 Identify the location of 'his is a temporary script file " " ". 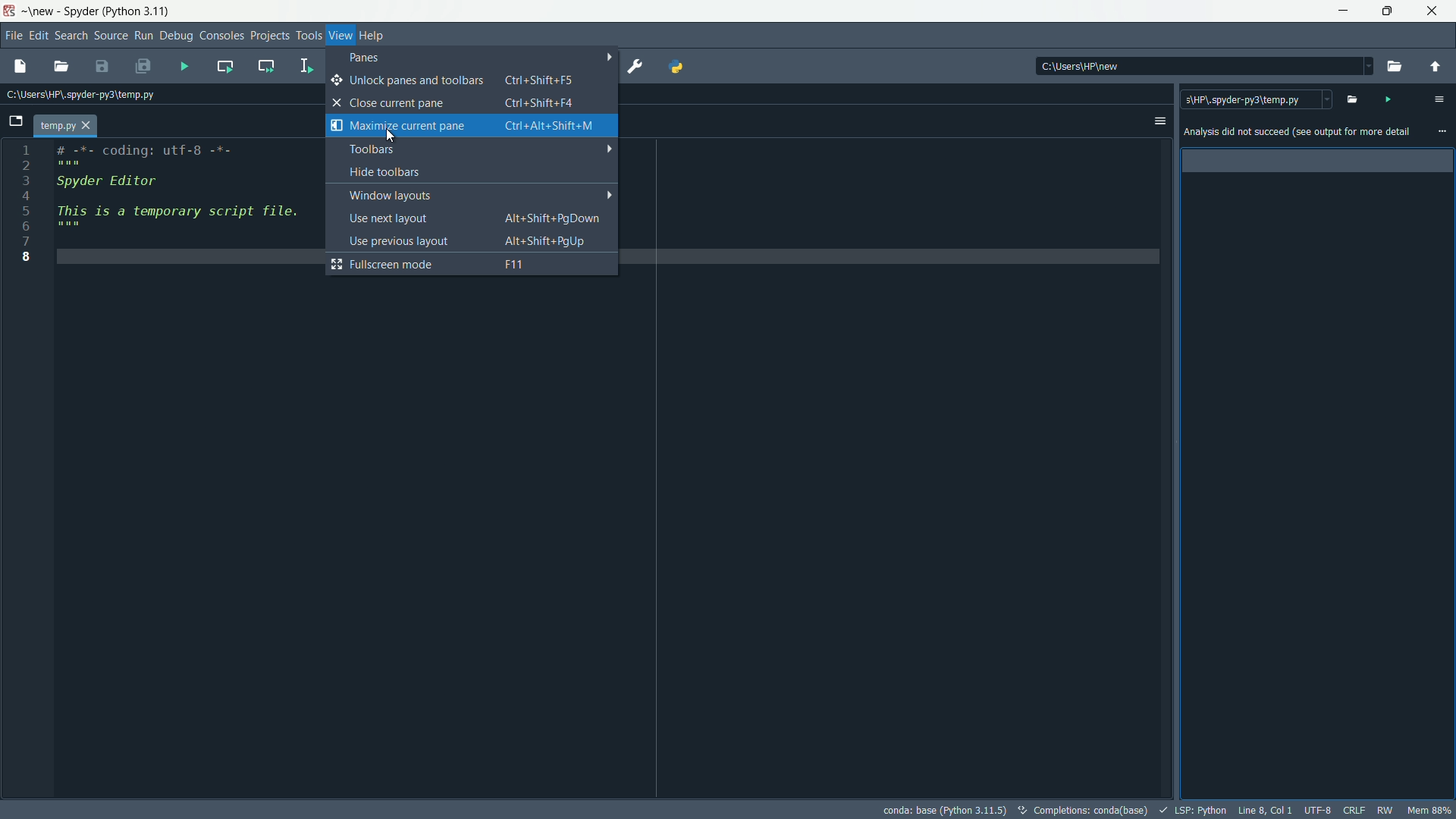
(178, 215).